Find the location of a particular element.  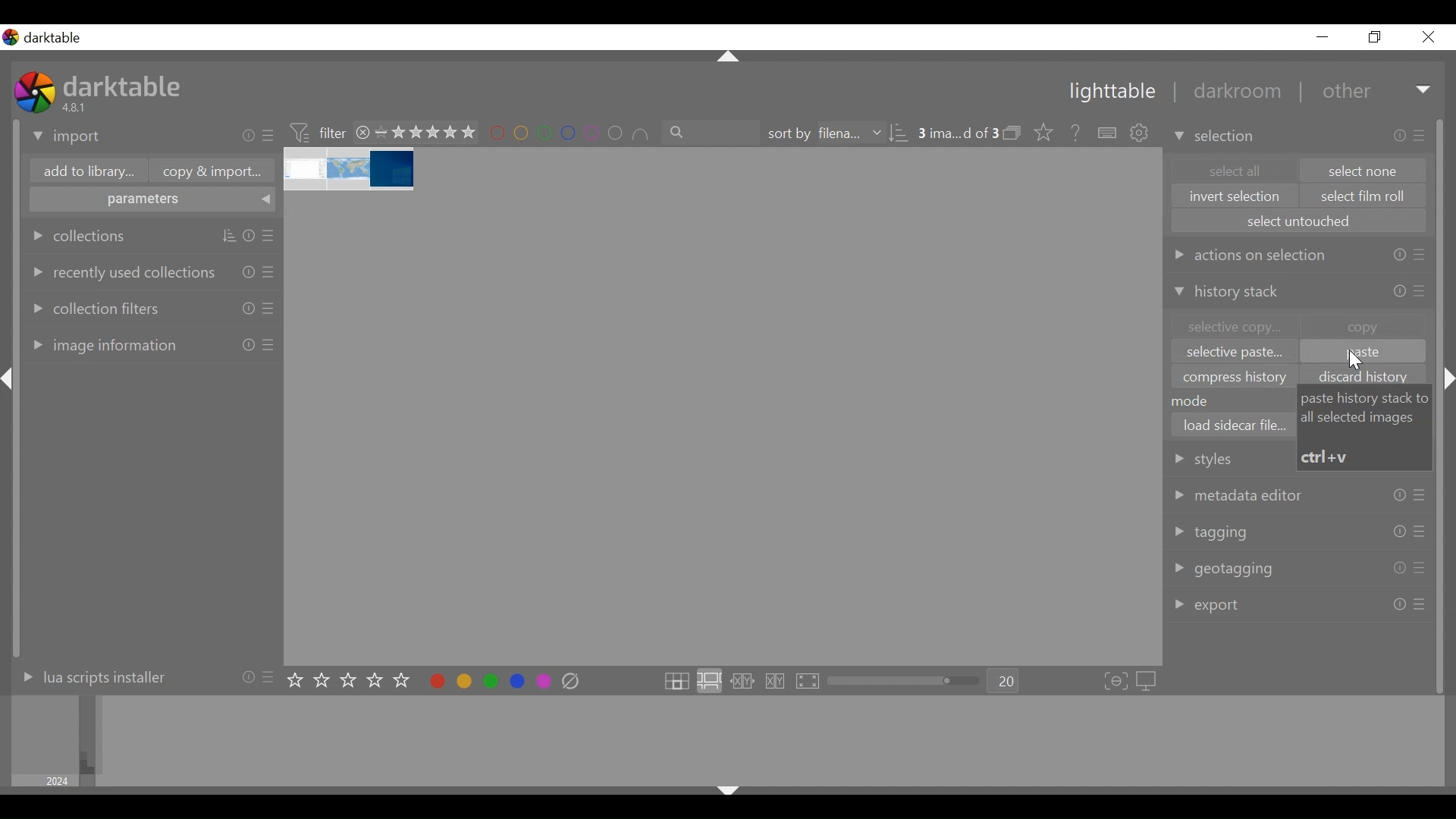

number of image selected is located at coordinates (958, 133).